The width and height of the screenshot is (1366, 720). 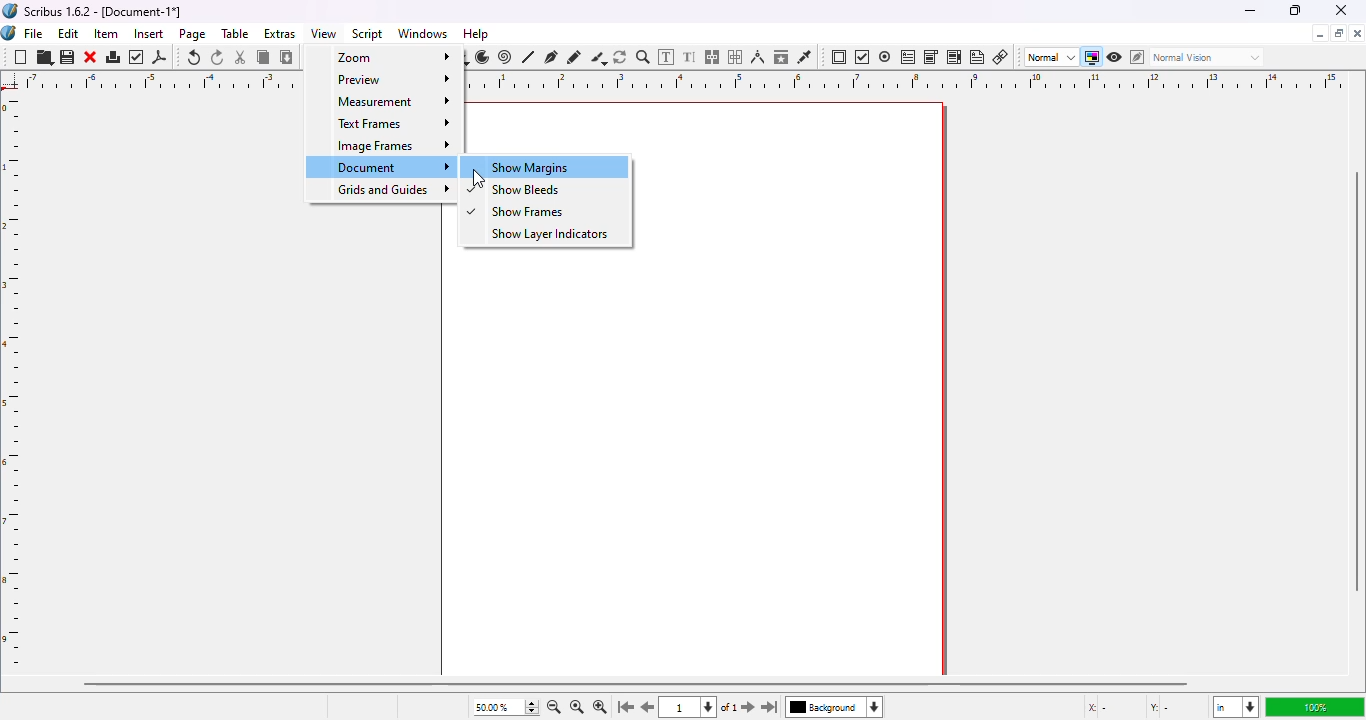 What do you see at coordinates (552, 56) in the screenshot?
I see `bezier curve` at bounding box center [552, 56].